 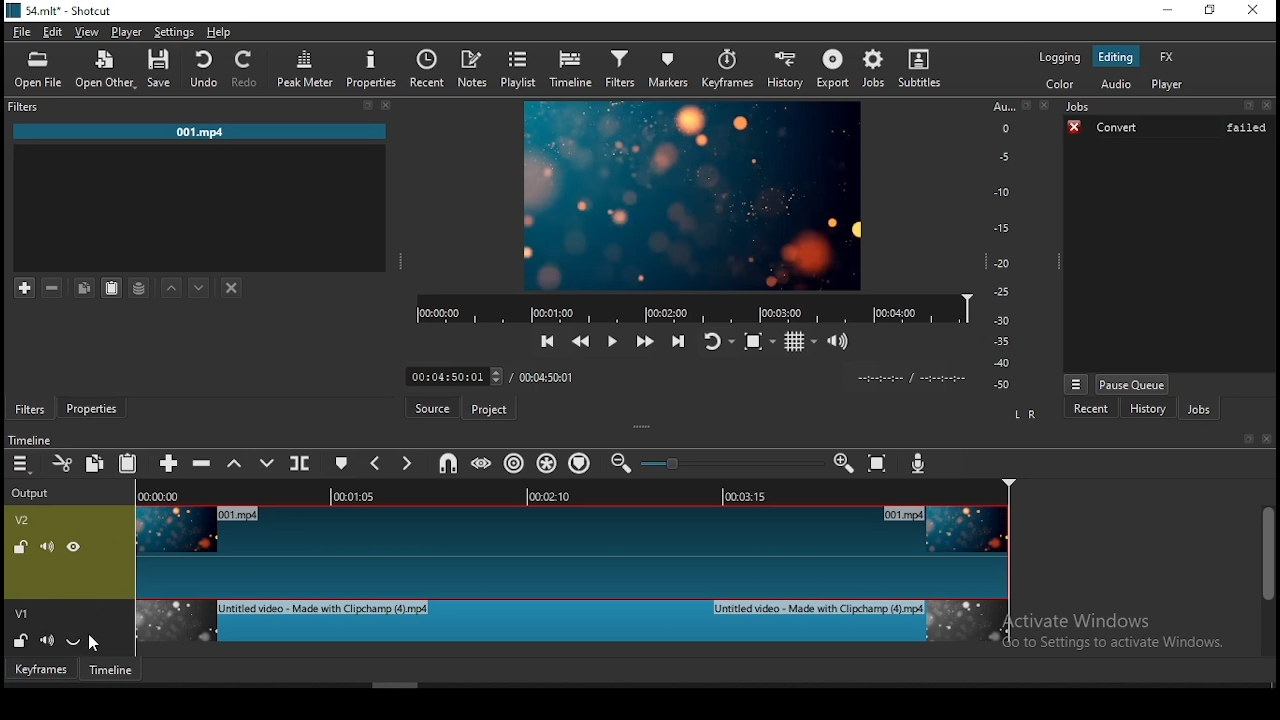 What do you see at coordinates (451, 377) in the screenshot?
I see `edit time` at bounding box center [451, 377].